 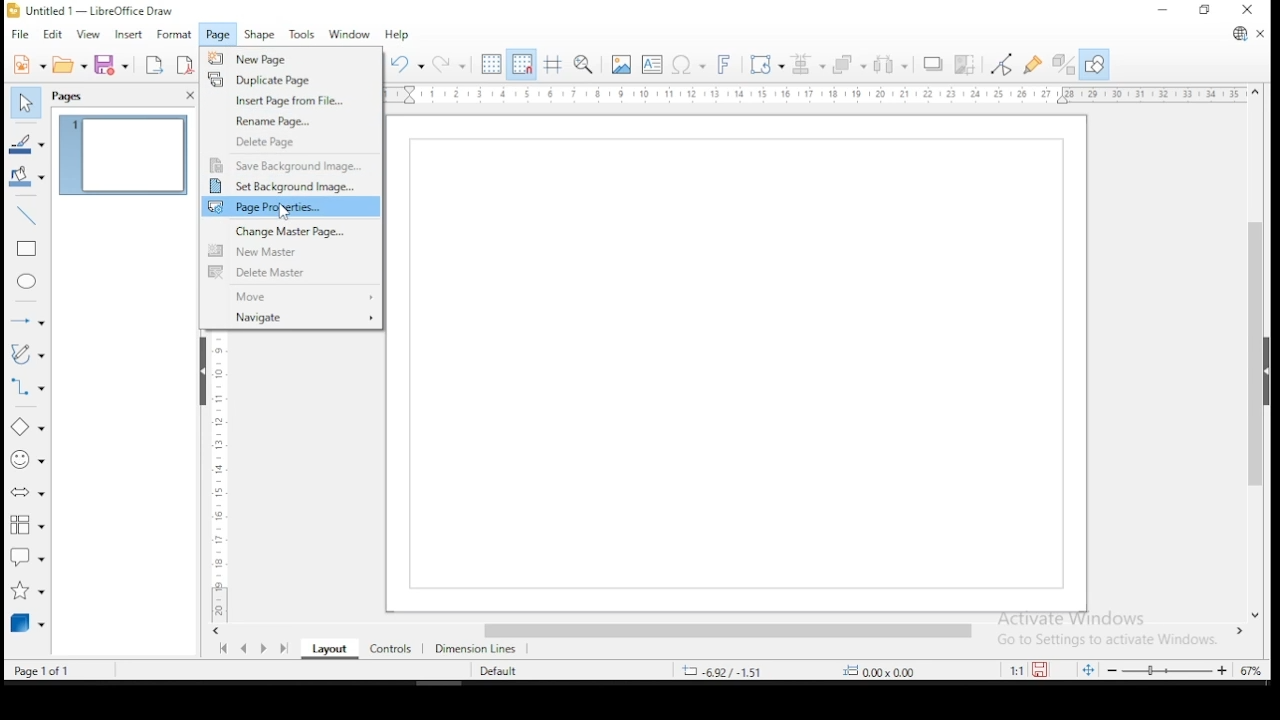 I want to click on shape, so click(x=264, y=35).